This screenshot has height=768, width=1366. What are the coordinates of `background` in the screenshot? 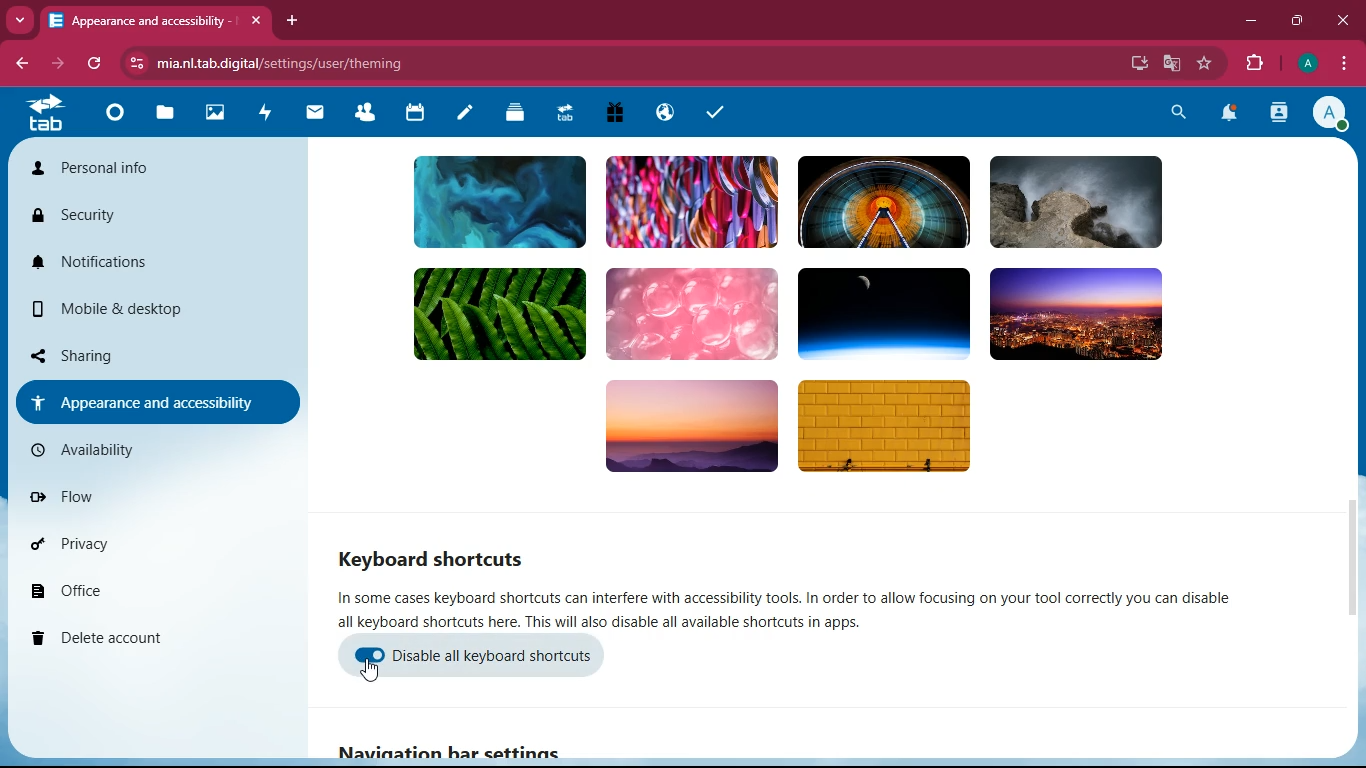 It's located at (831, 321).